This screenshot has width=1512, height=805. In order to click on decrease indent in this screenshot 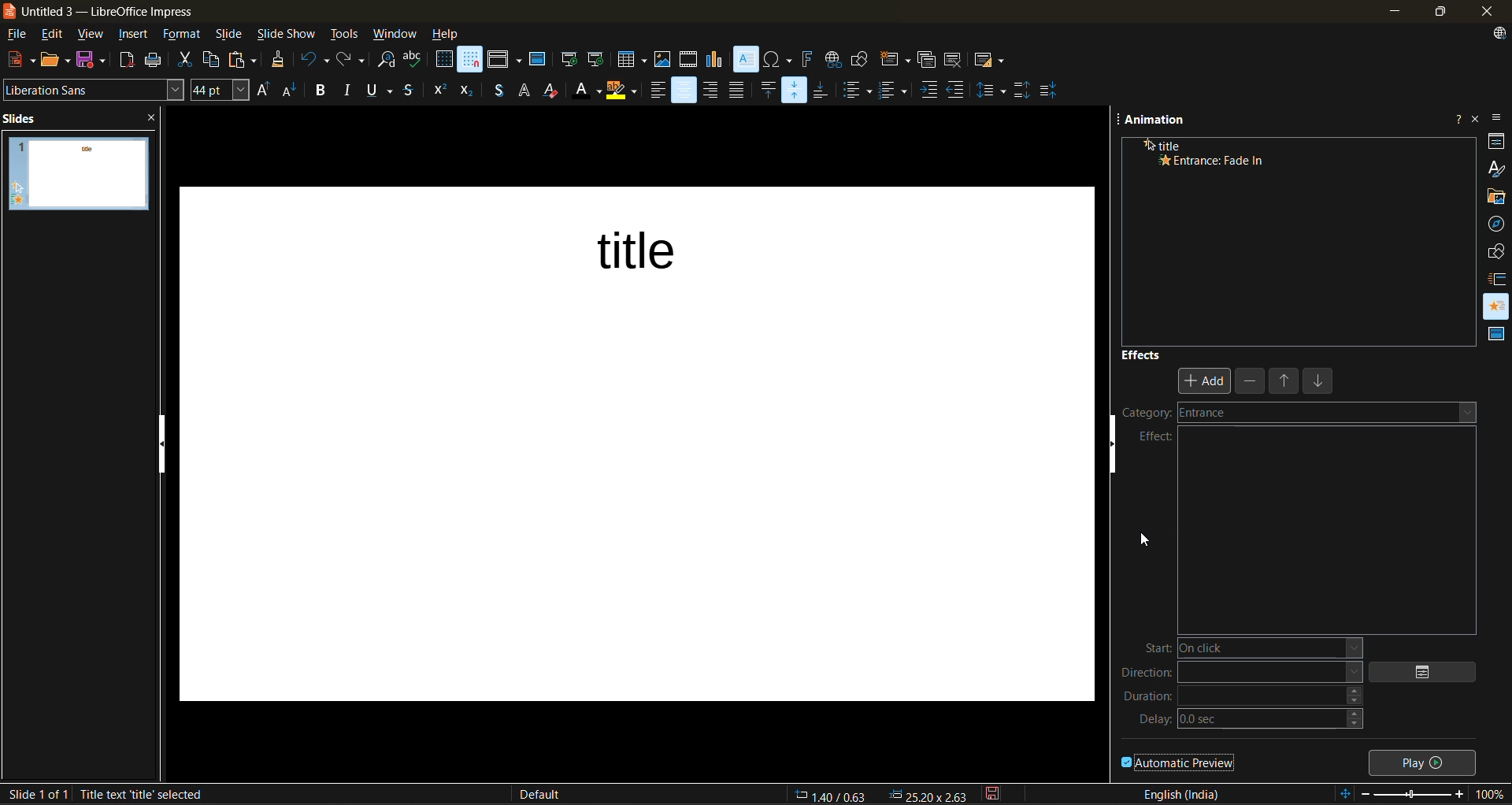, I will do `click(959, 88)`.